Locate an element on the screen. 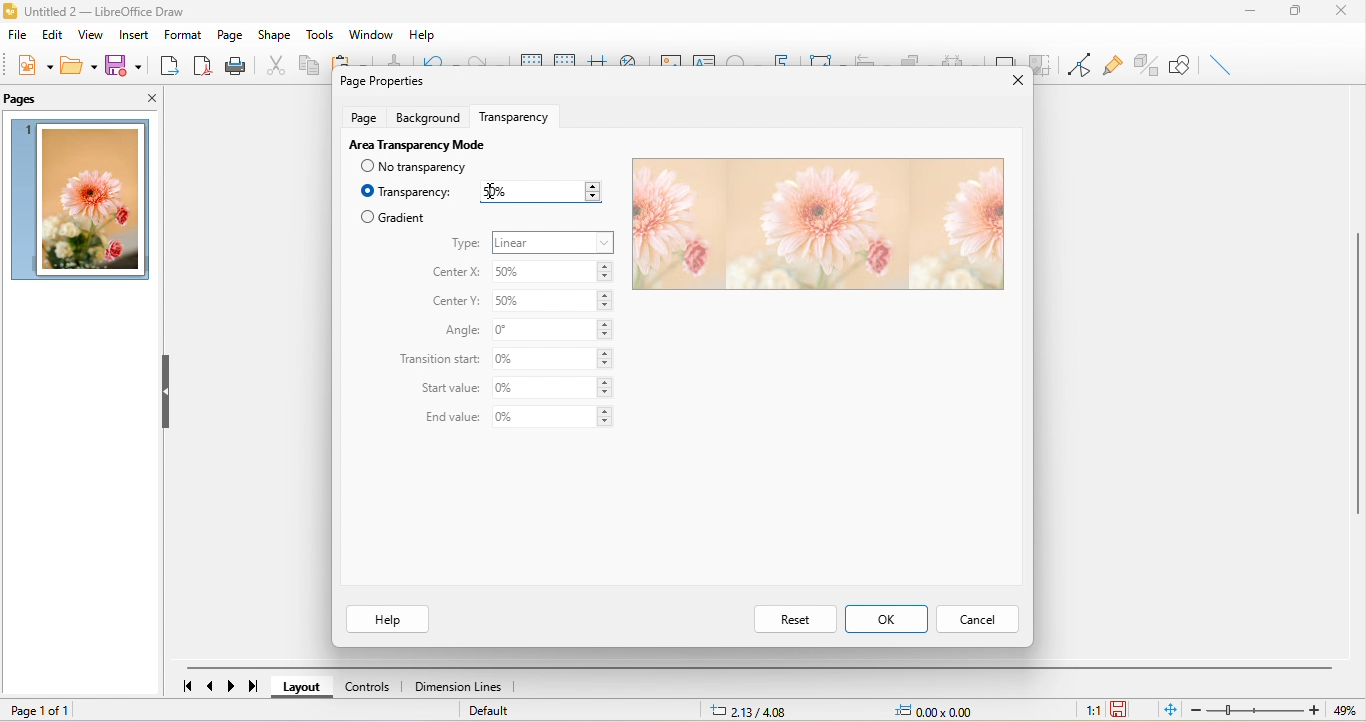 The image size is (1366, 722). show draw function is located at coordinates (1181, 65).